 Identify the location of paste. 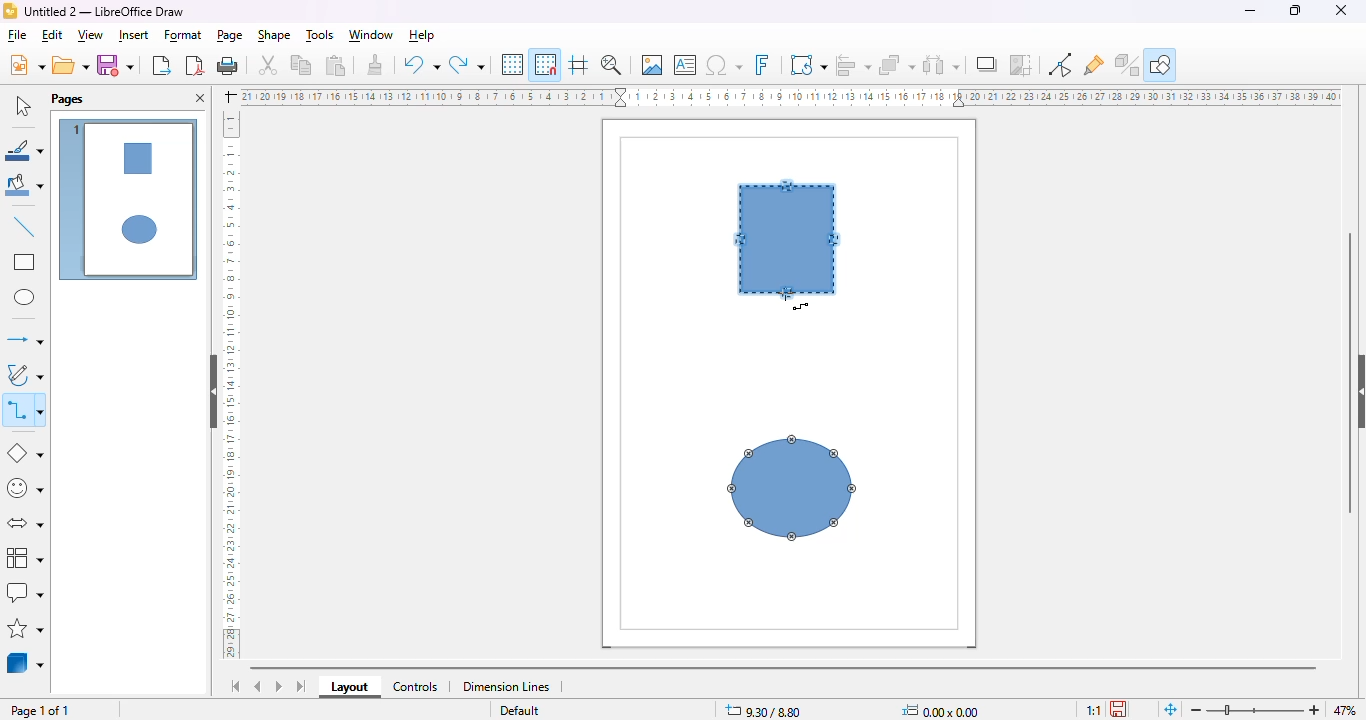
(336, 65).